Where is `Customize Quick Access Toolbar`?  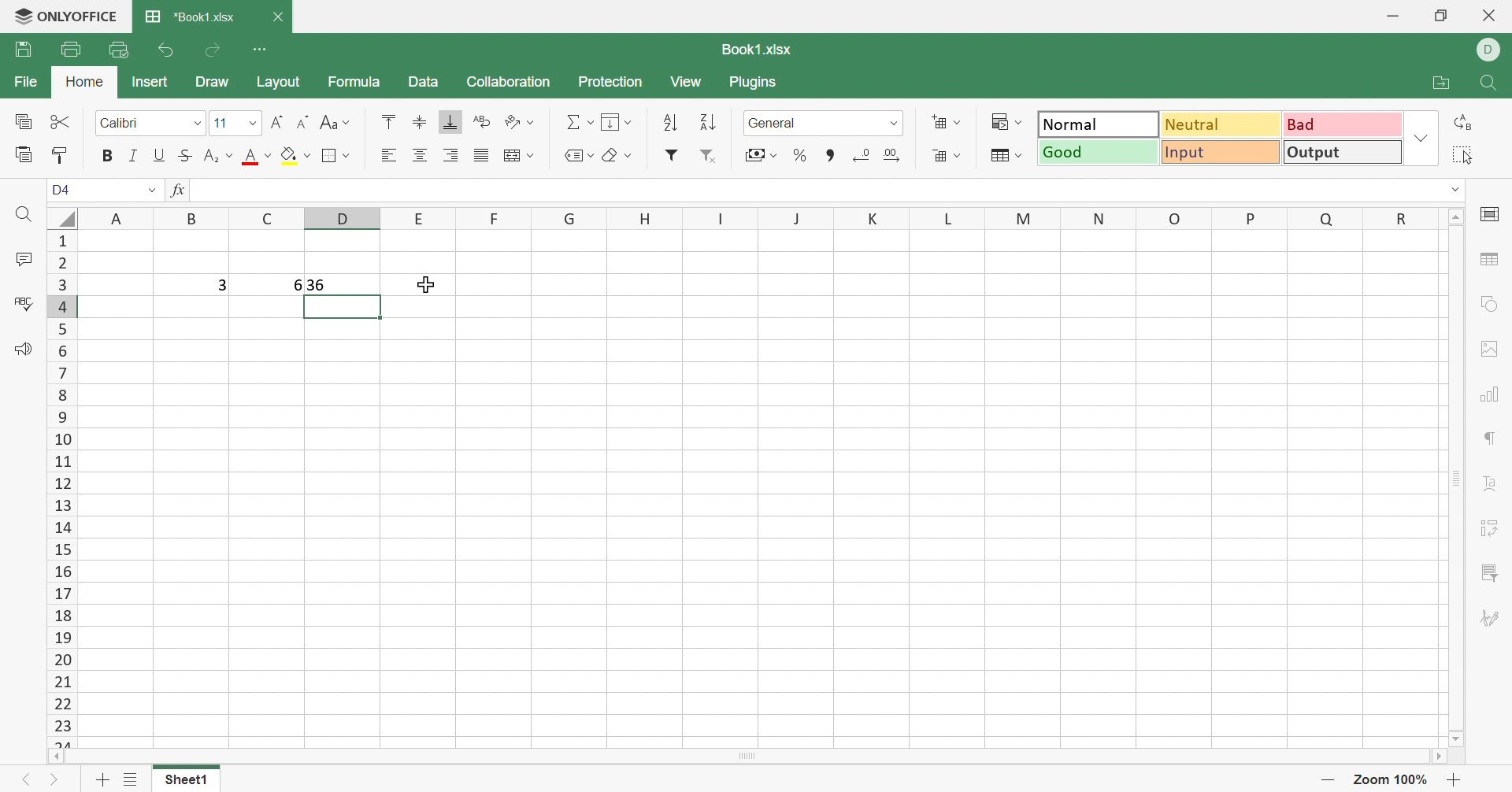
Customize Quick Access Toolbar is located at coordinates (258, 48).